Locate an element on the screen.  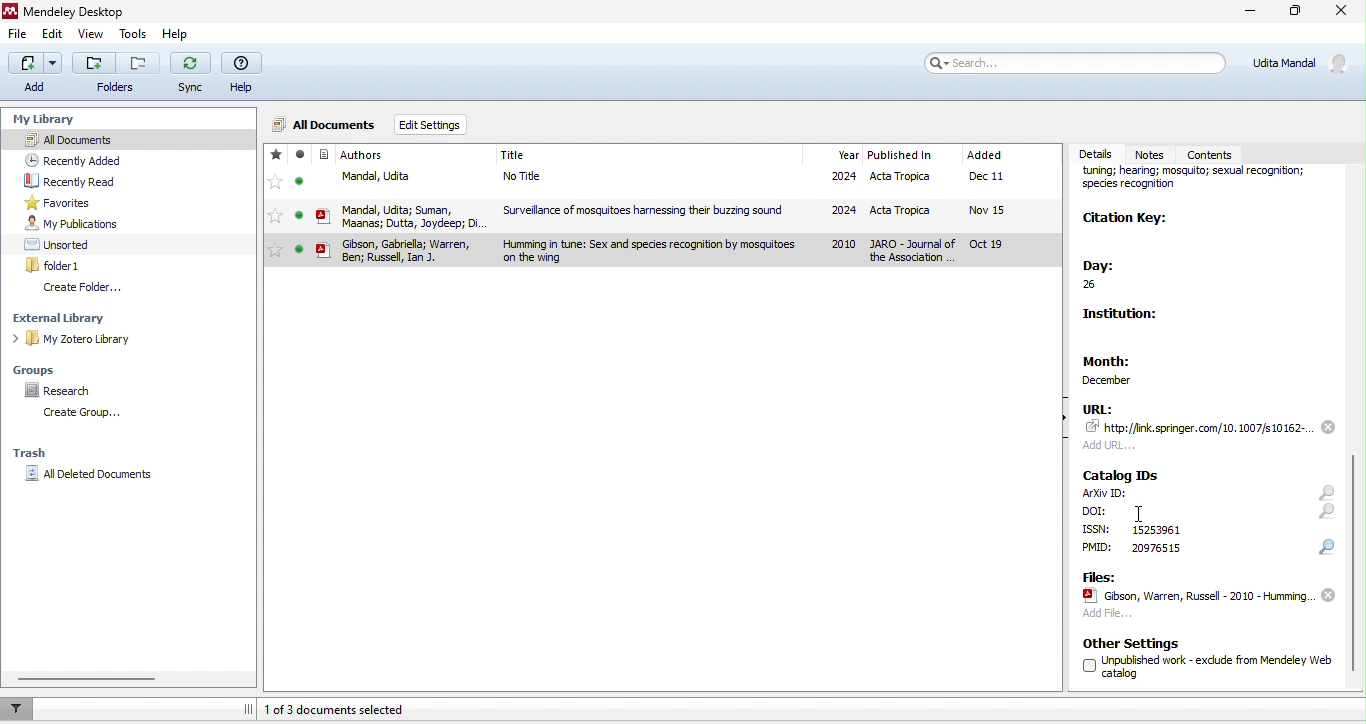
edit is located at coordinates (53, 37).